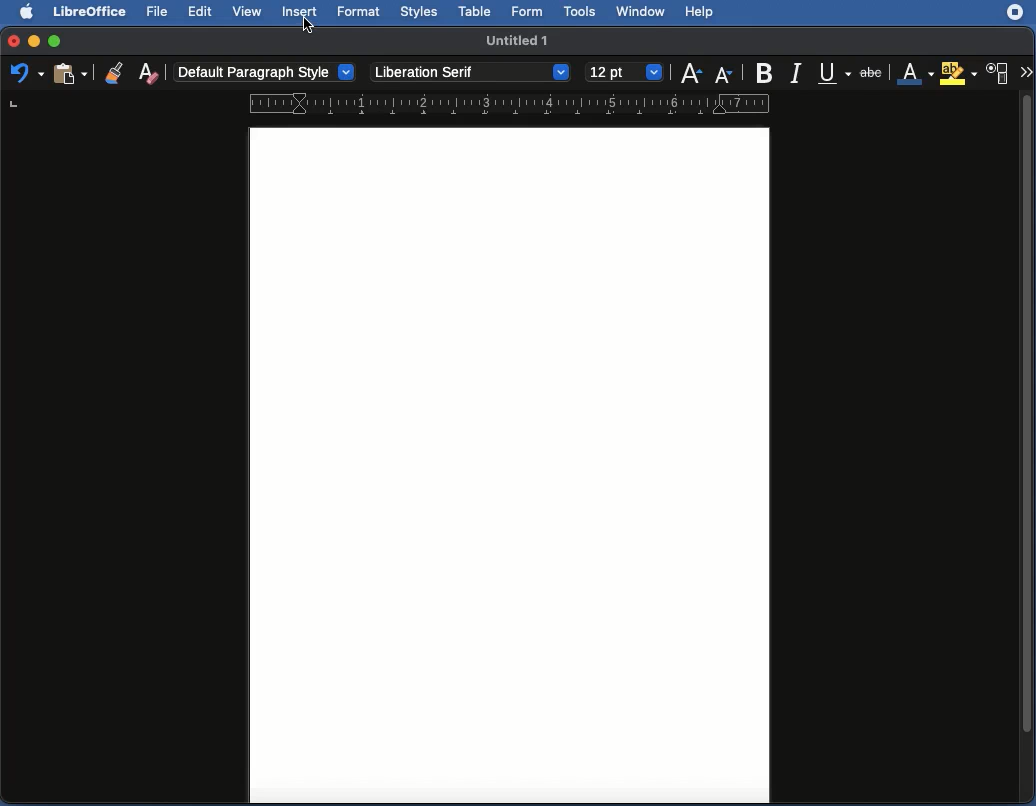 The image size is (1036, 806). What do you see at coordinates (69, 73) in the screenshot?
I see `Paste` at bounding box center [69, 73].